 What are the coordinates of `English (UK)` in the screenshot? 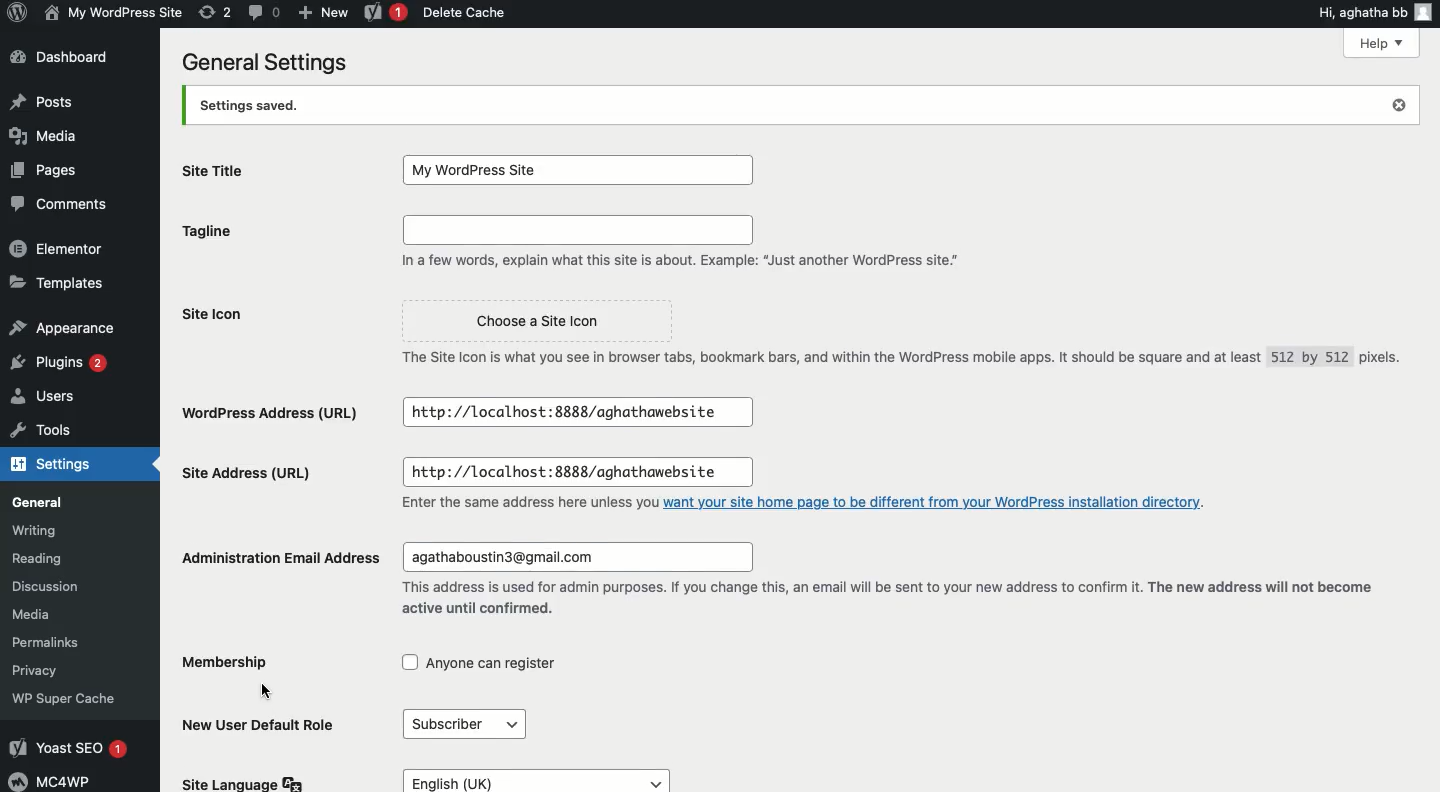 It's located at (536, 780).